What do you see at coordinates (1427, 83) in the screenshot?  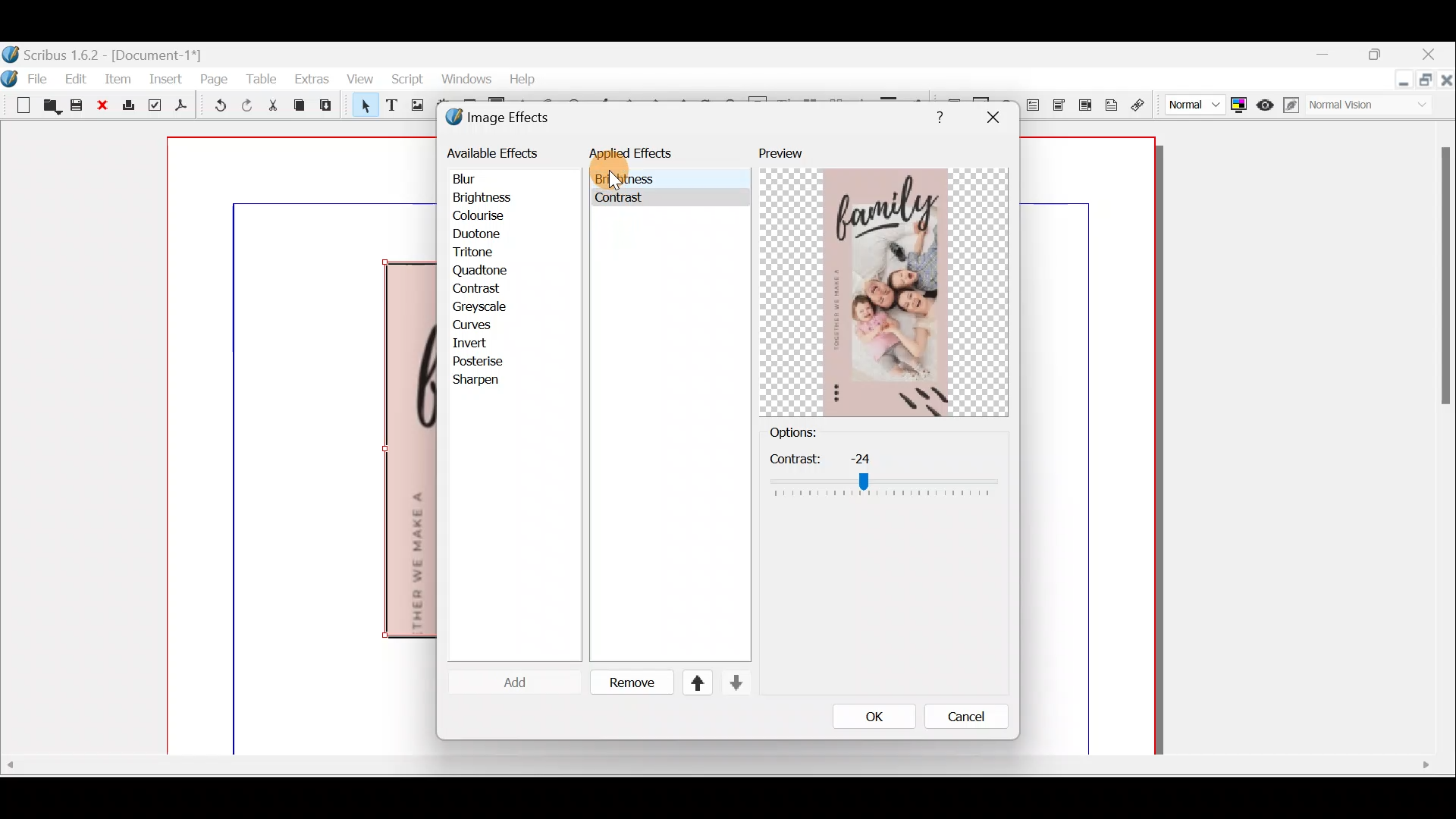 I see `Maximise` at bounding box center [1427, 83].